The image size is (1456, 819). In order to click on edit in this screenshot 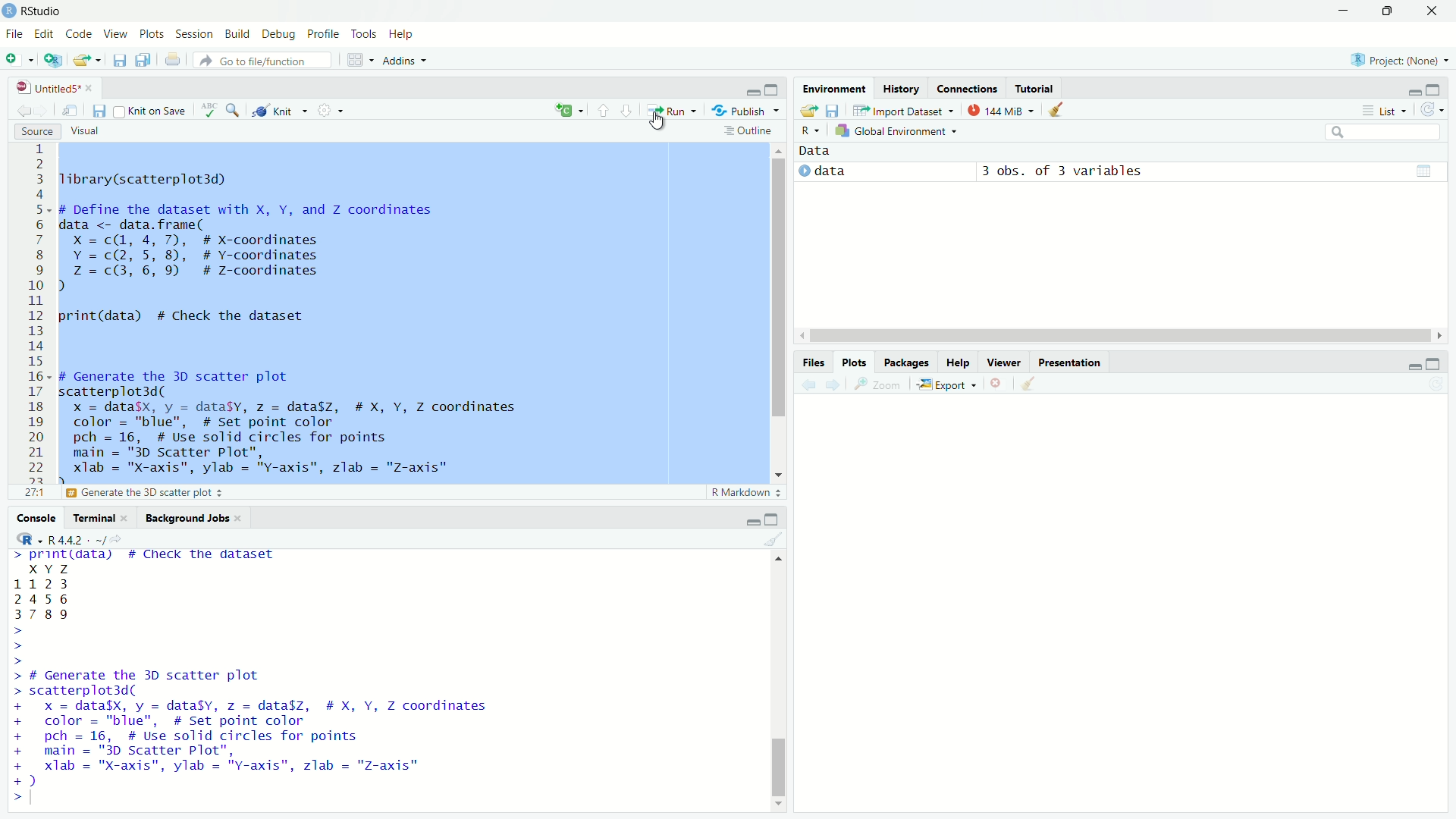, I will do `click(43, 35)`.